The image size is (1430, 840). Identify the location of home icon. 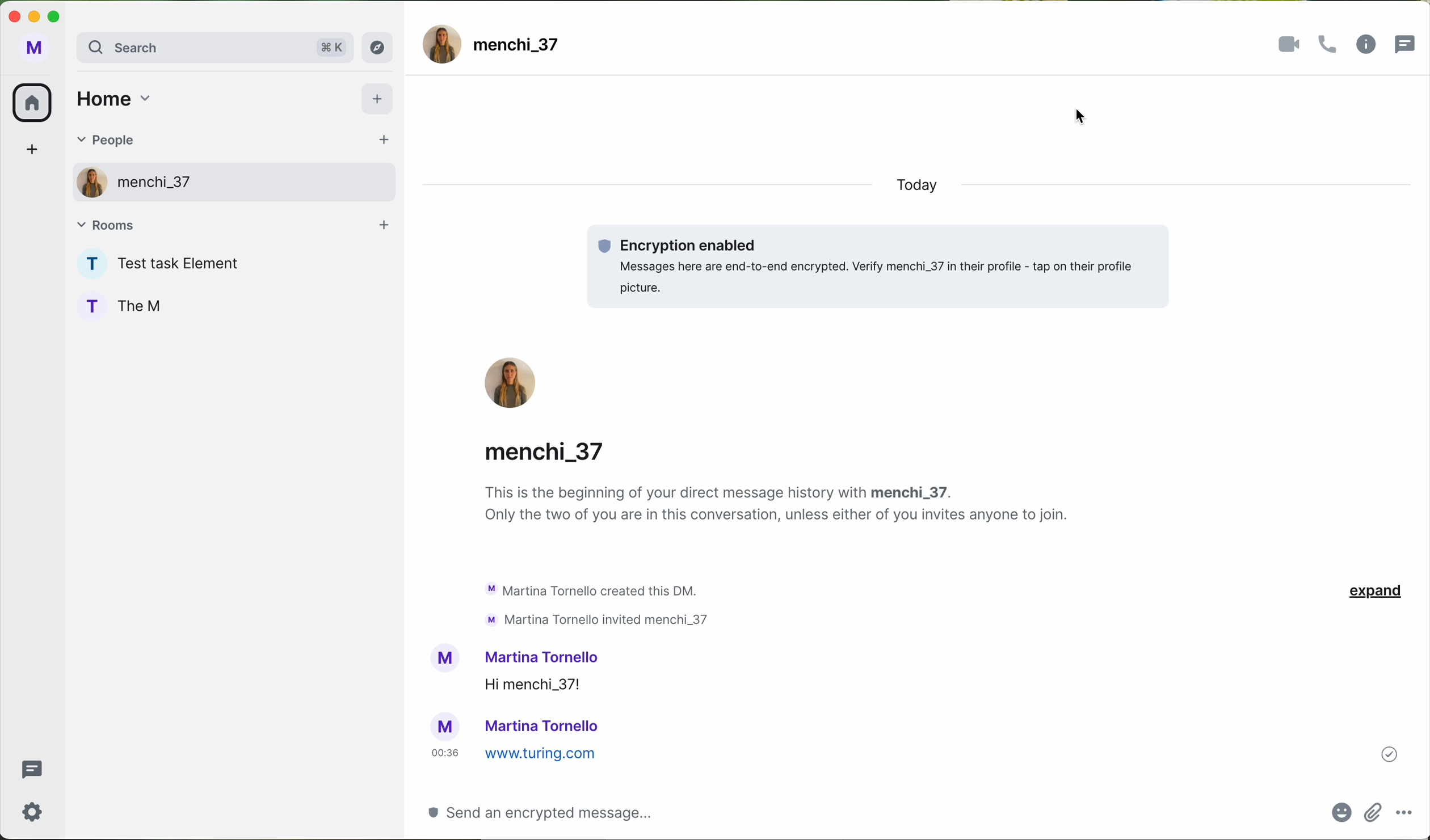
(31, 103).